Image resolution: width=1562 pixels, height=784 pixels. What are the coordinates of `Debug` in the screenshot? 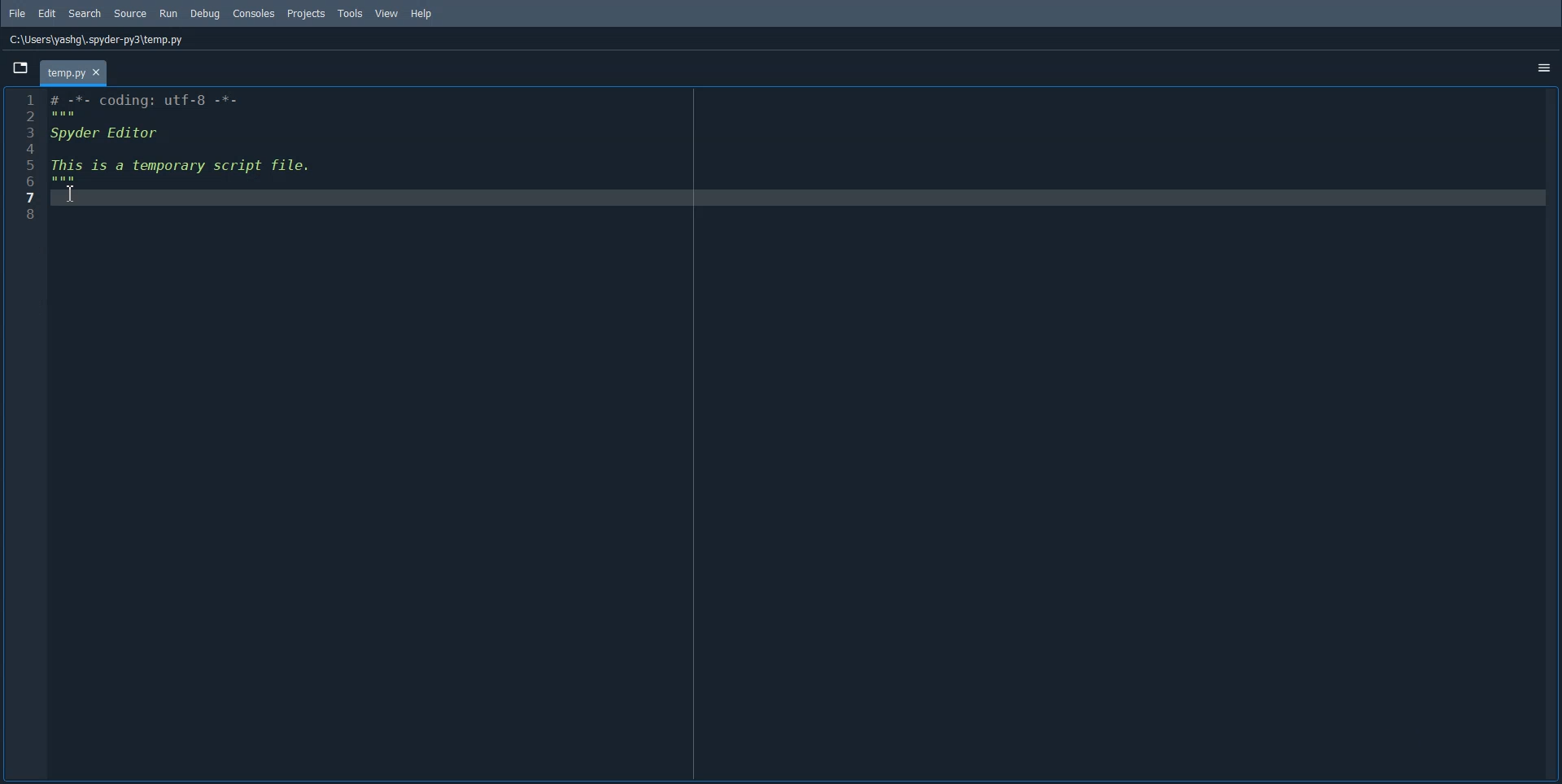 It's located at (209, 15).